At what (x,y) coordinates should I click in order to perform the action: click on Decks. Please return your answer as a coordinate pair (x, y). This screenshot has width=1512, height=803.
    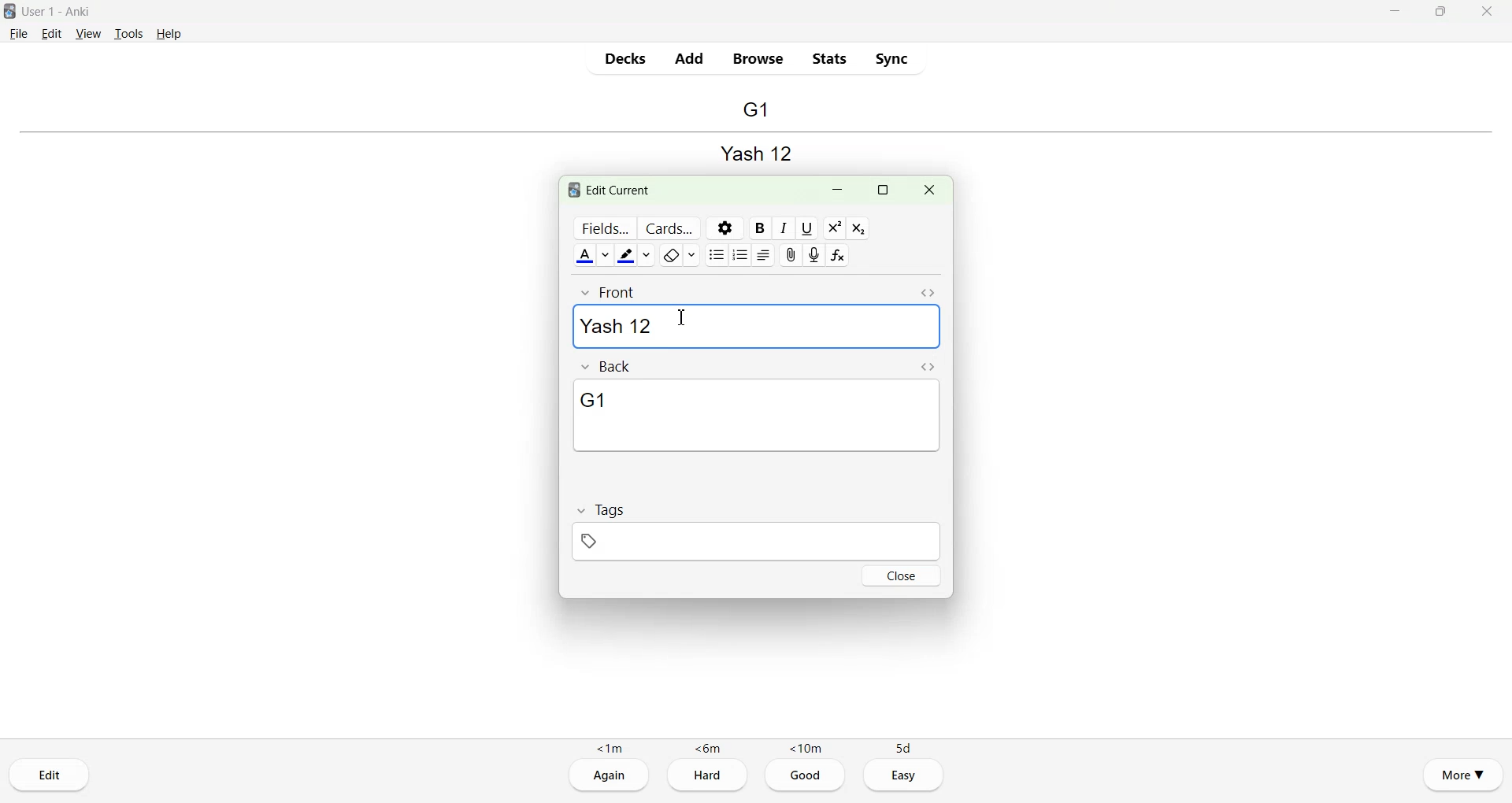
    Looking at the image, I should click on (626, 58).